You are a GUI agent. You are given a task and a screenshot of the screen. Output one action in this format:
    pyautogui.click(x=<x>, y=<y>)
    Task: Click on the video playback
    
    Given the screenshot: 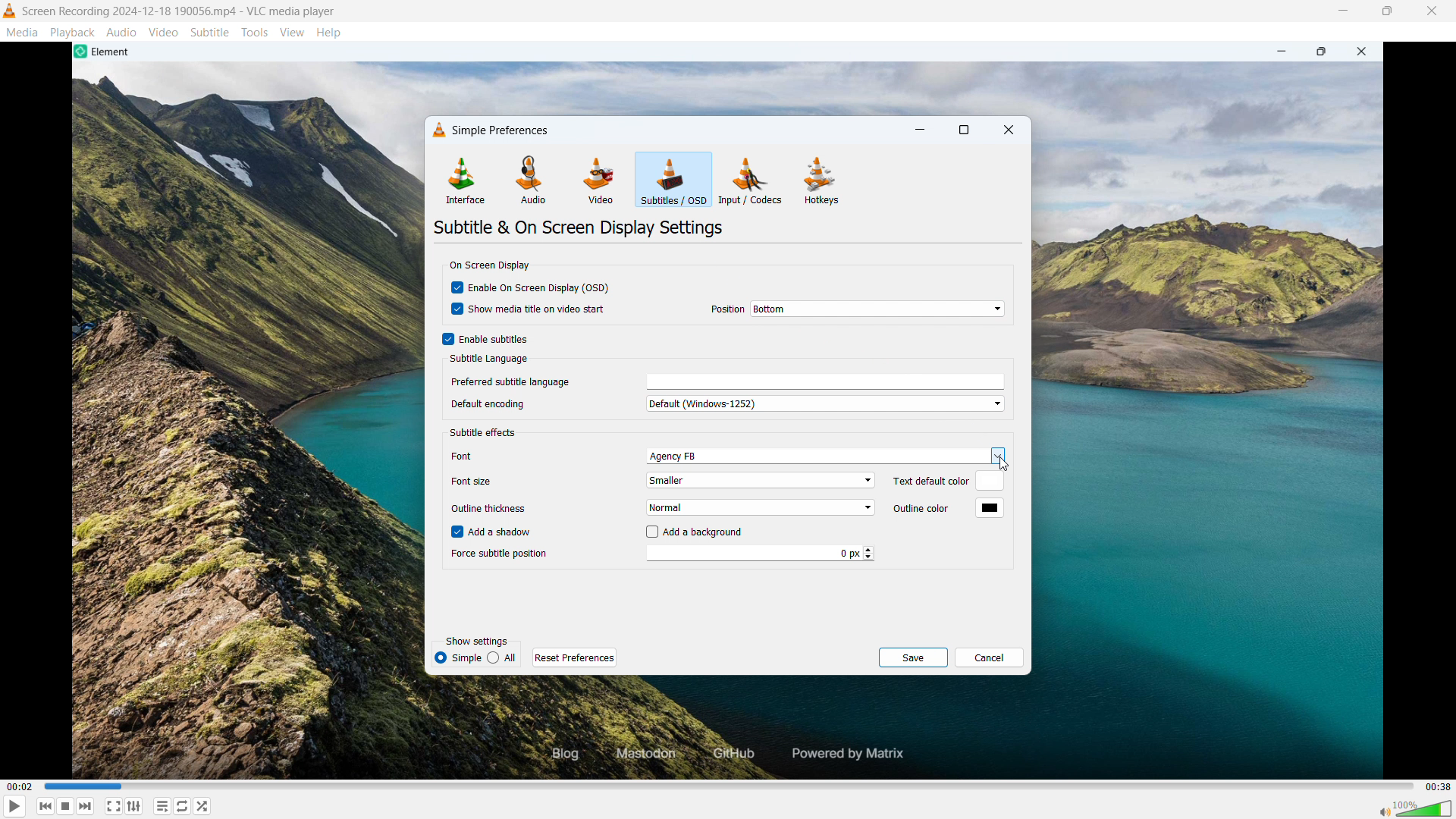 What is the action you would take?
    pyautogui.click(x=736, y=78)
    